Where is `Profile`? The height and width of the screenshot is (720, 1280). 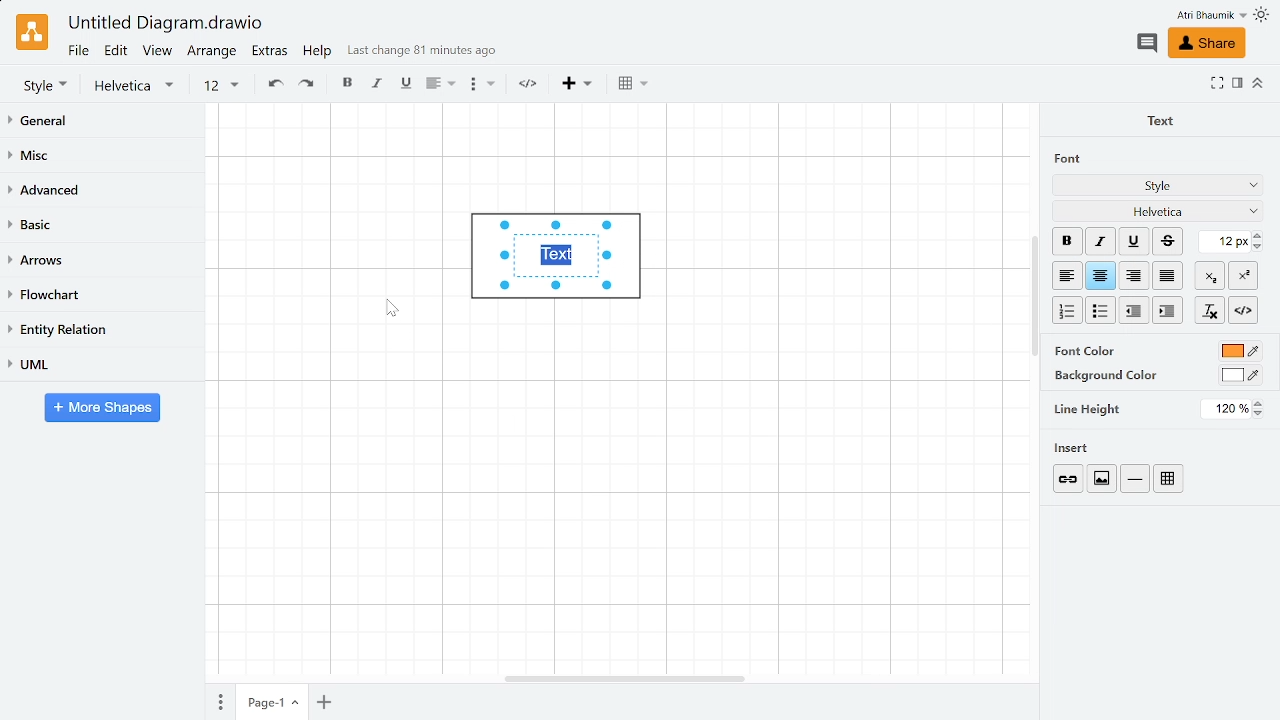
Profile is located at coordinates (1198, 15).